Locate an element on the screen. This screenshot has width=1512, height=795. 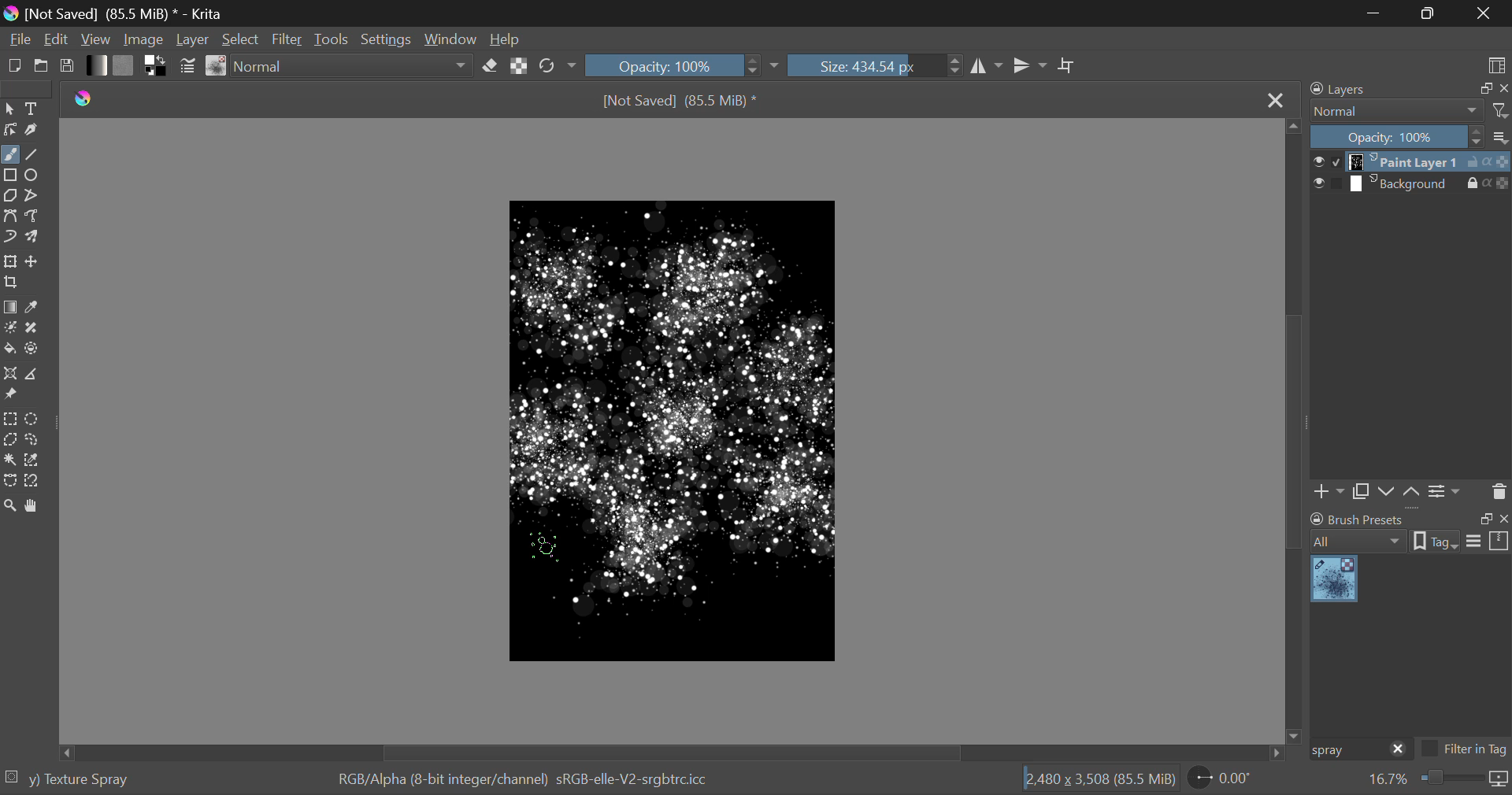
Image is located at coordinates (148, 38).